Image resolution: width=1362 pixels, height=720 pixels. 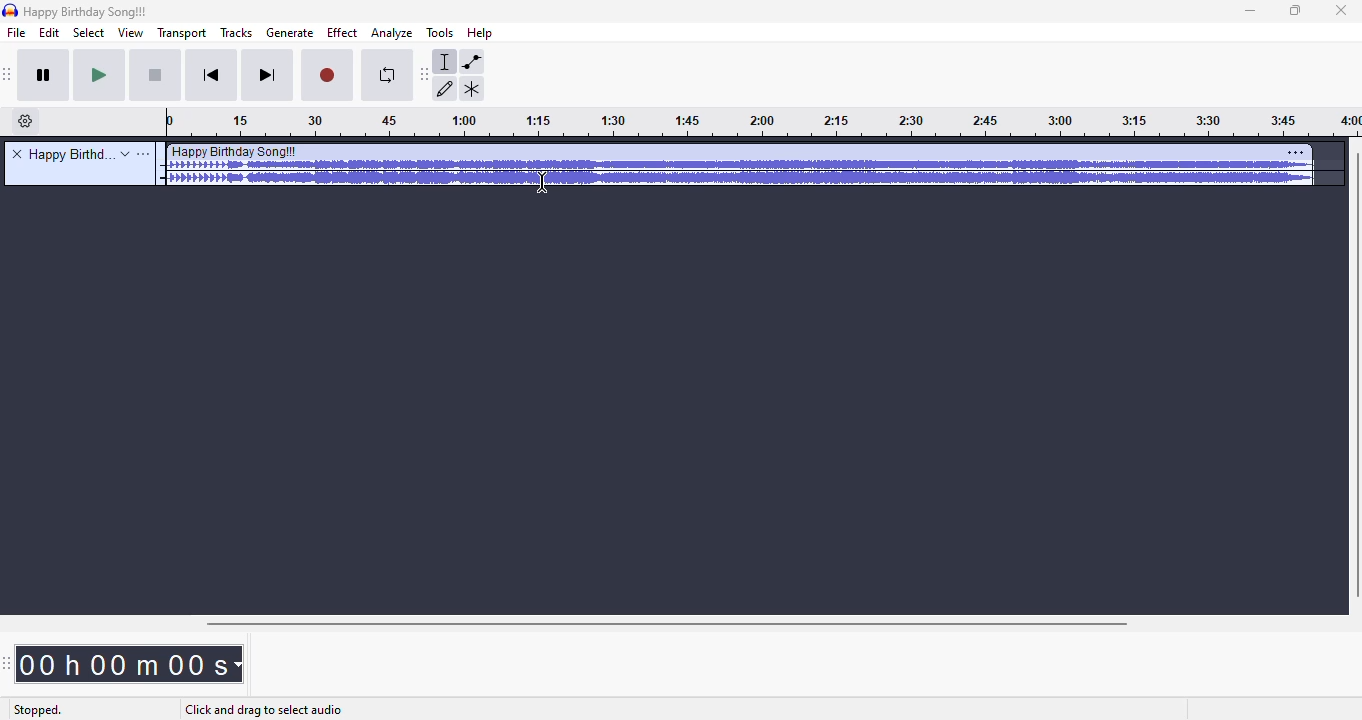 I want to click on help, so click(x=481, y=32).